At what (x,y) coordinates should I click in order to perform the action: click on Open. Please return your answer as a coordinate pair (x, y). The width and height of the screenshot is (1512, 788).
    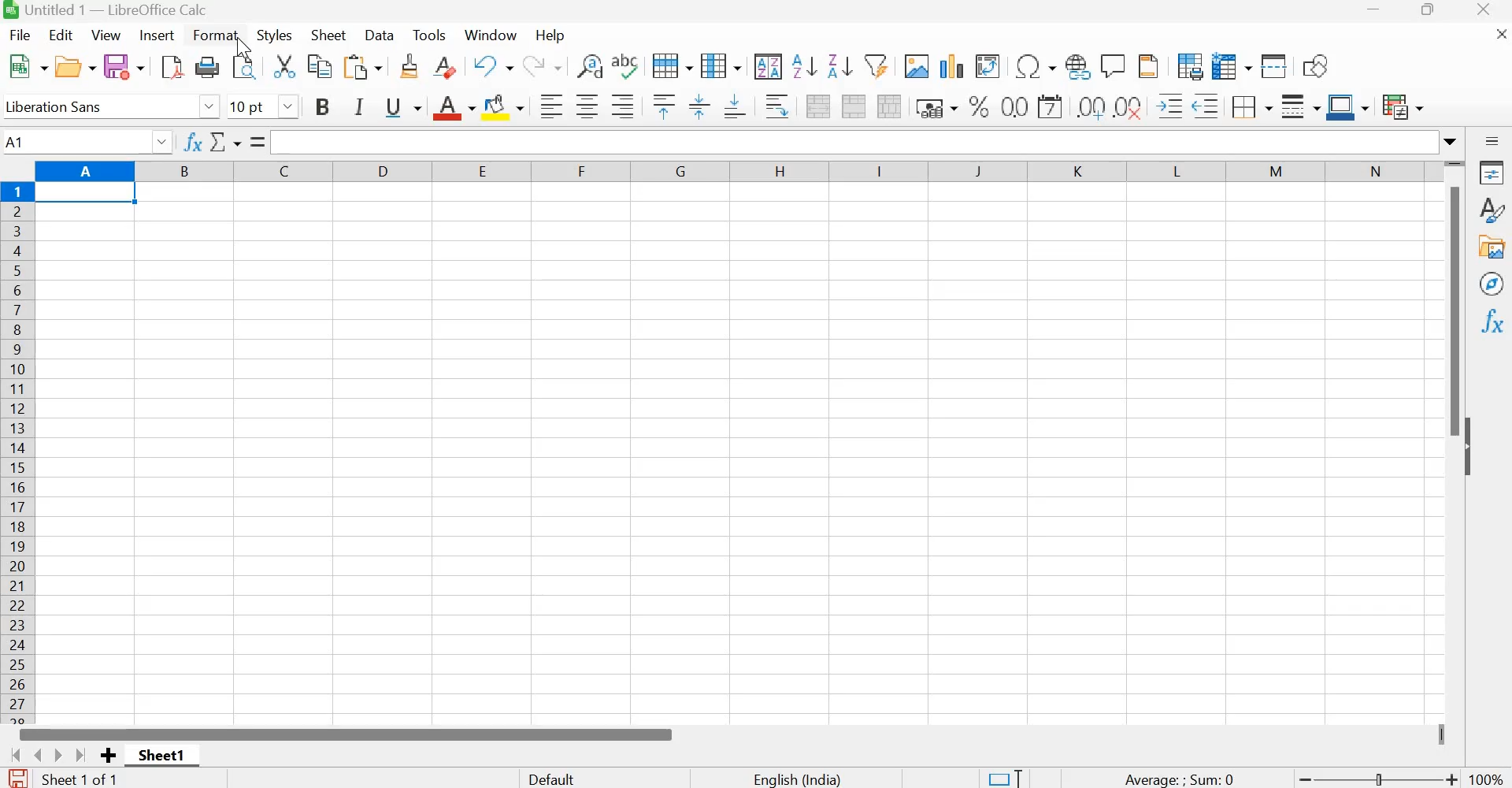
    Looking at the image, I should click on (75, 67).